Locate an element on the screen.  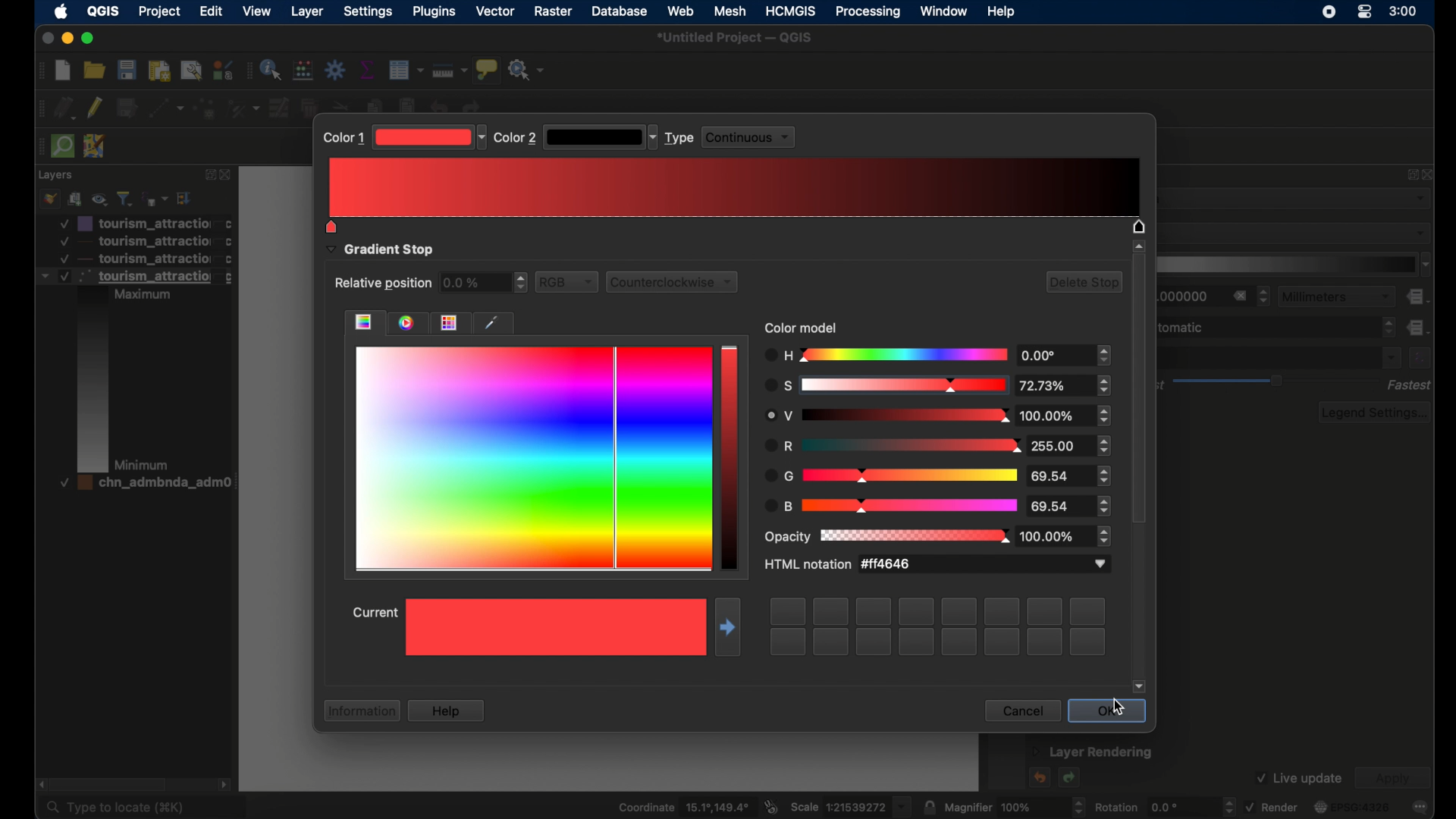
processing is located at coordinates (867, 12).